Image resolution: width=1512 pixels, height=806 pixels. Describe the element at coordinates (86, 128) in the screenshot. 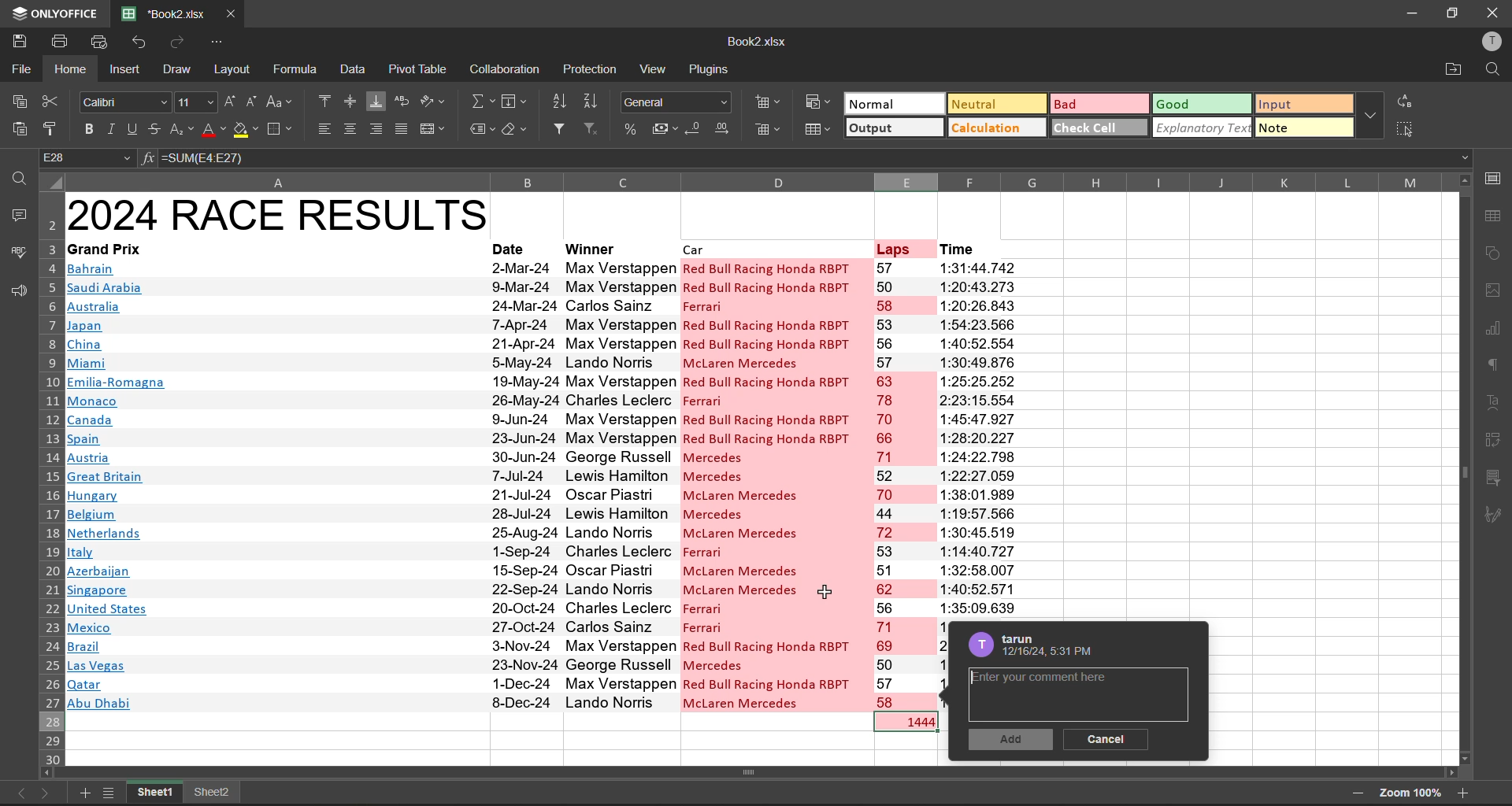

I see `bold` at that location.